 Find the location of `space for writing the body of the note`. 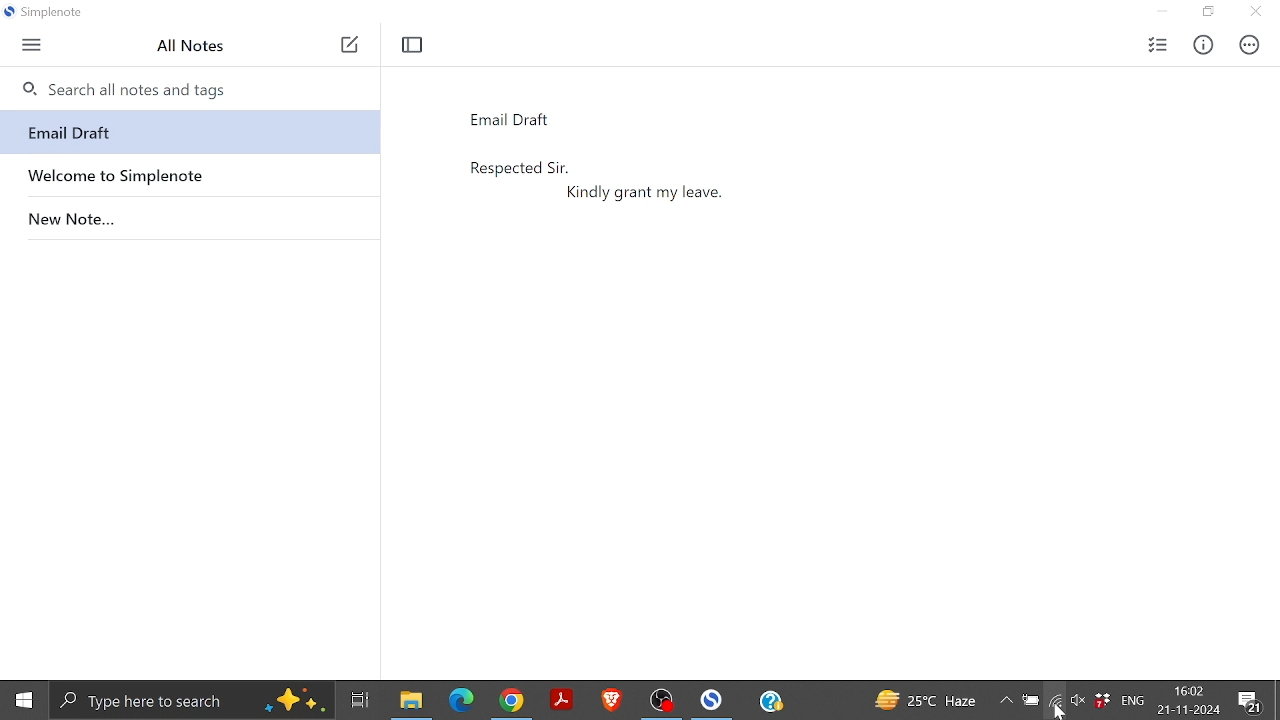

space for writing the body of the note is located at coordinates (848, 385).